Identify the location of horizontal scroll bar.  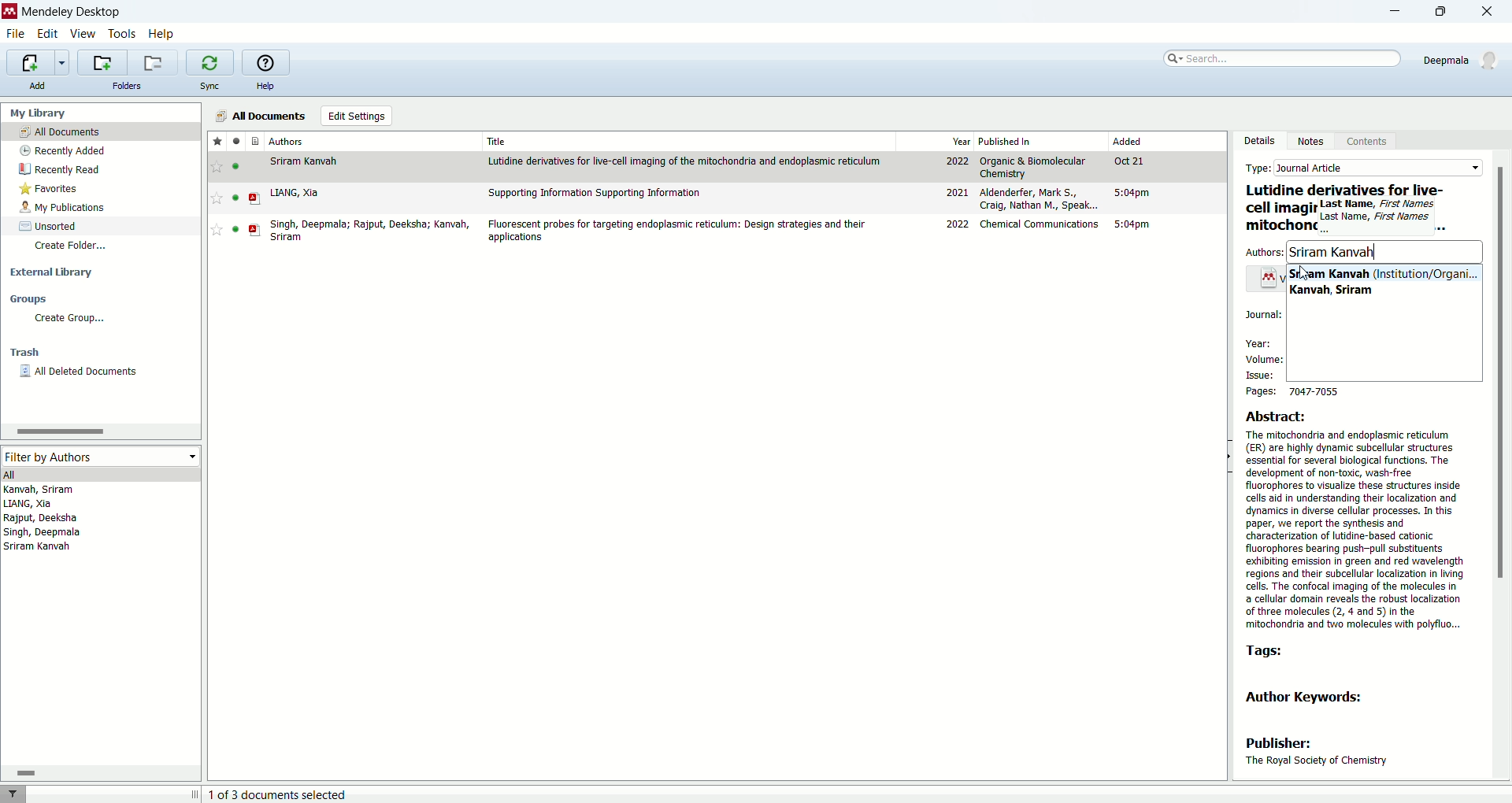
(99, 431).